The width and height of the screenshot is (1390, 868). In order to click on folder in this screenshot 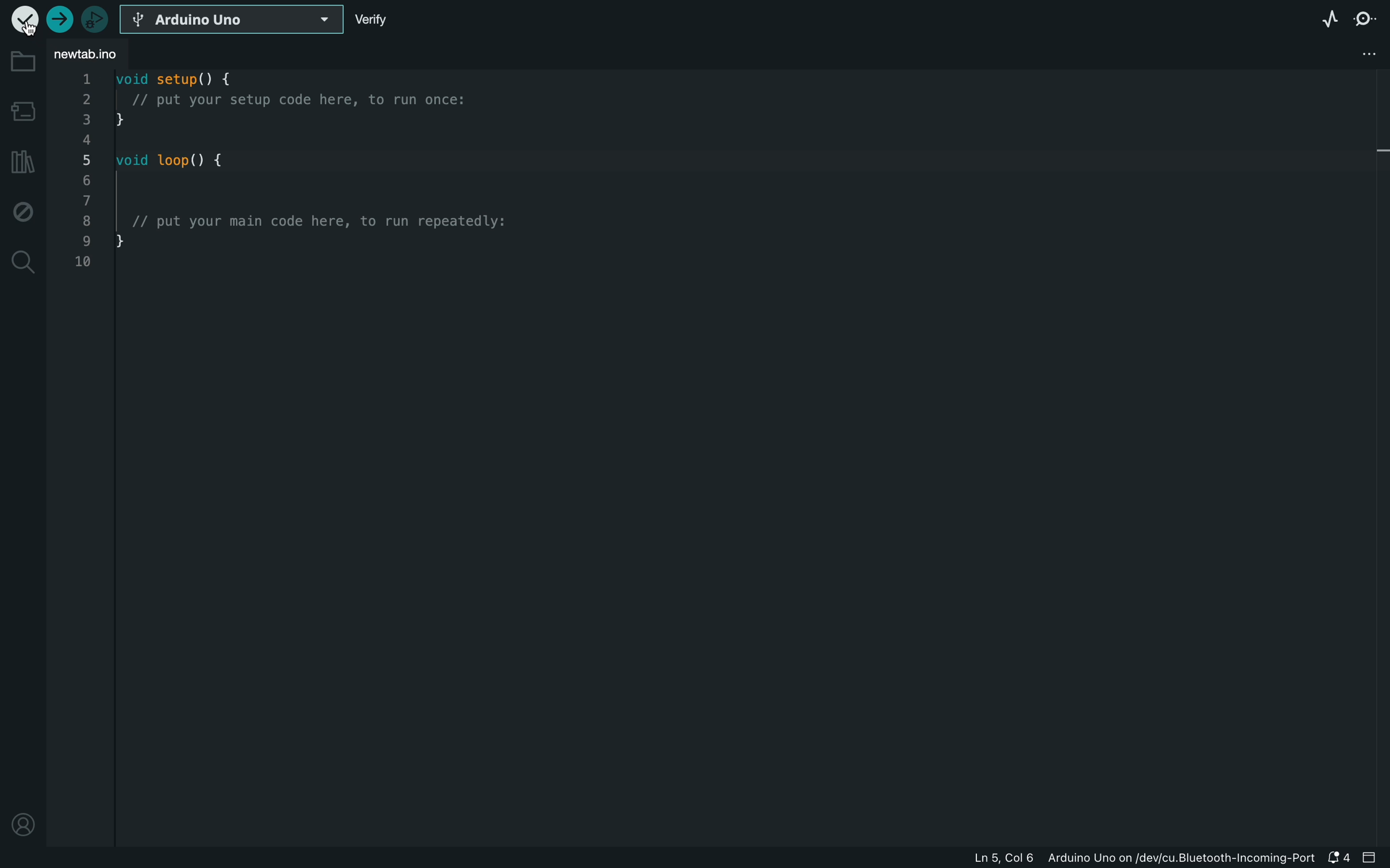, I will do `click(24, 63)`.